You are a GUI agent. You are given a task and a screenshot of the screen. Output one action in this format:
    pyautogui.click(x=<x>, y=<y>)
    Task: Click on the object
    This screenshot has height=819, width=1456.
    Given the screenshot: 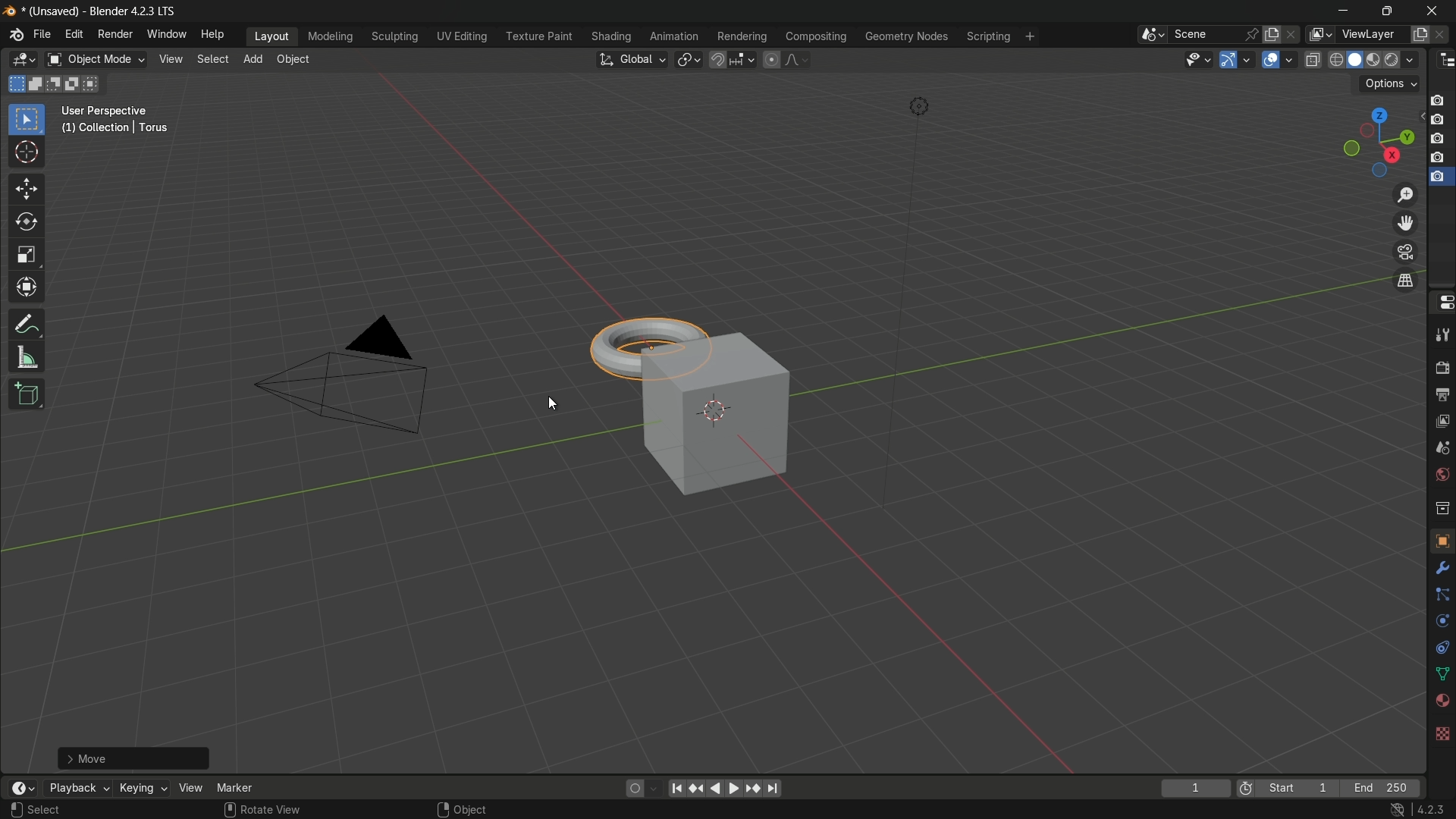 What is the action you would take?
    pyautogui.click(x=1442, y=540)
    